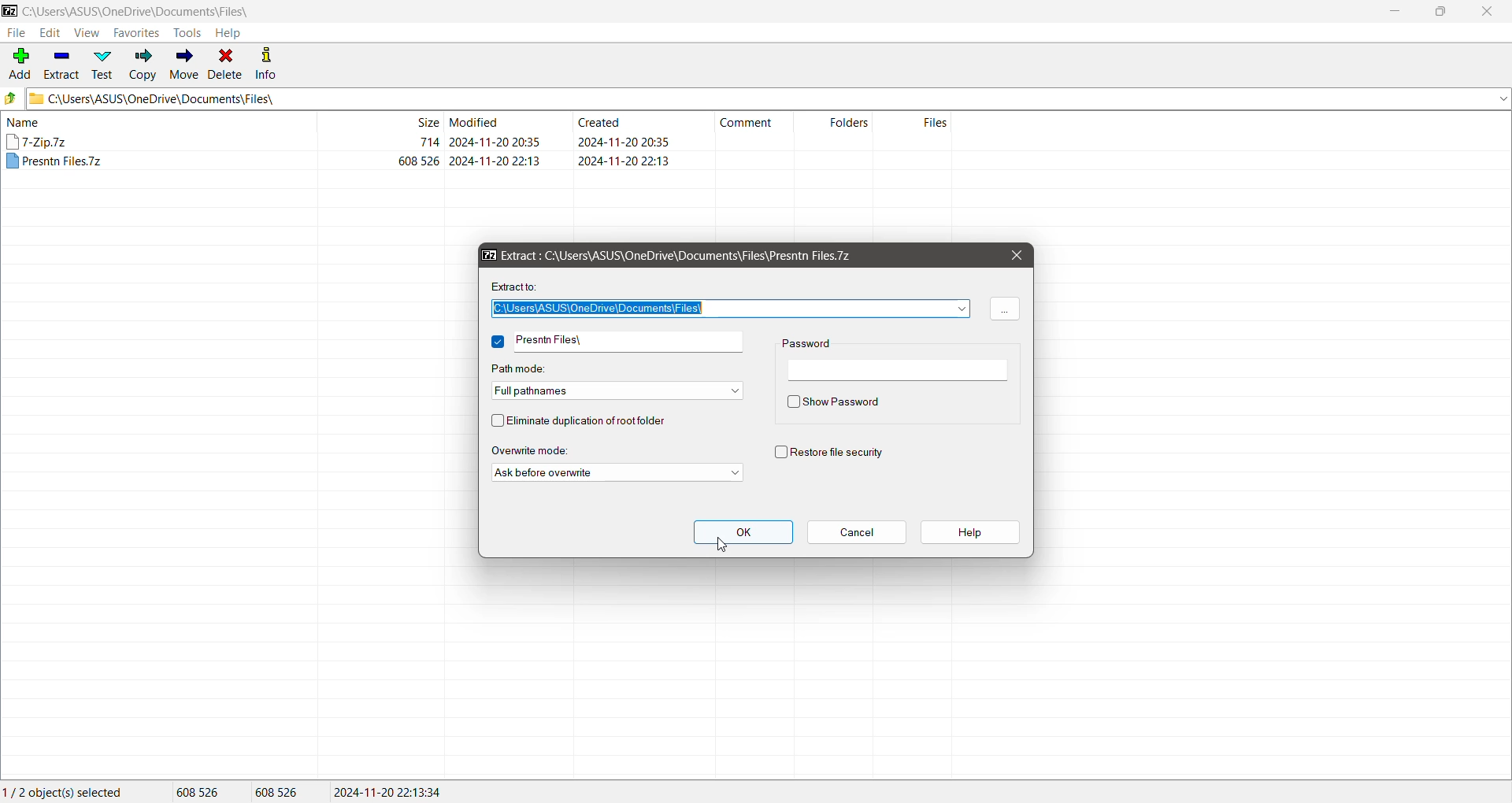 The height and width of the screenshot is (803, 1512). What do you see at coordinates (50, 32) in the screenshot?
I see `Edit` at bounding box center [50, 32].